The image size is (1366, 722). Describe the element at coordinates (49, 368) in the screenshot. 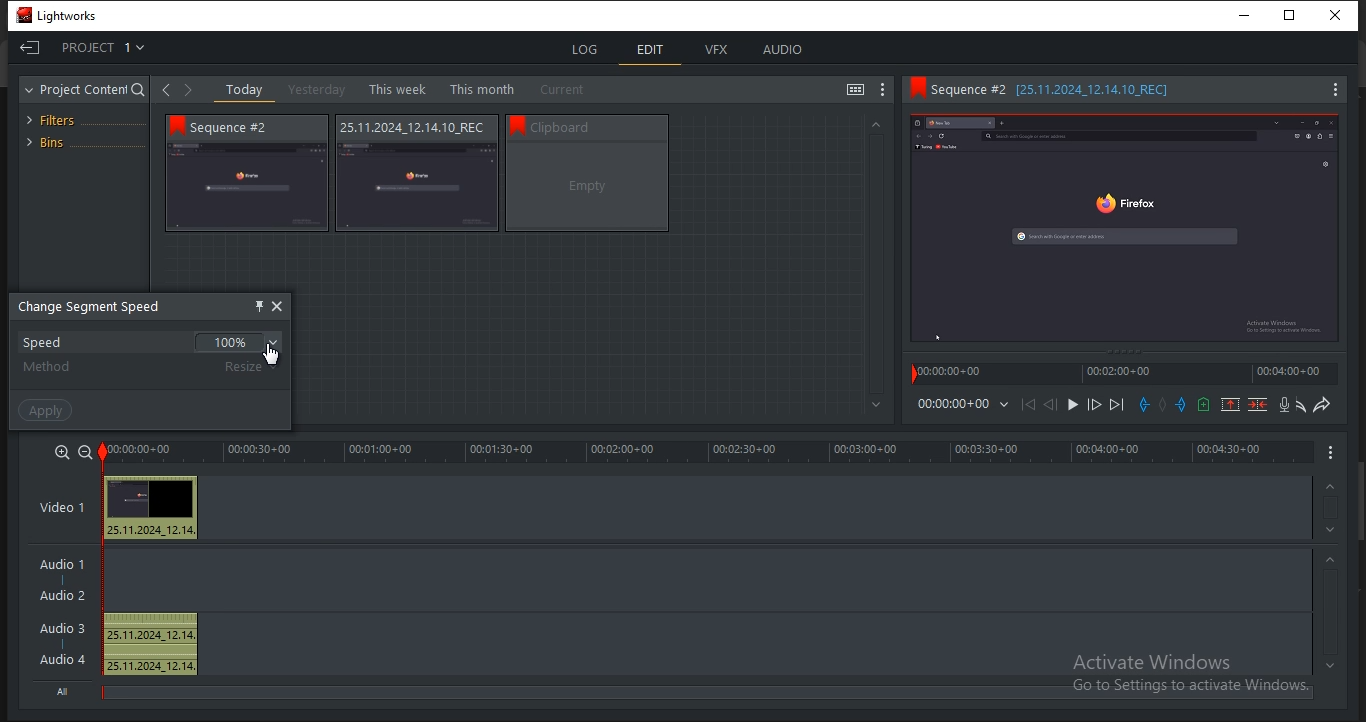

I see `method` at that location.